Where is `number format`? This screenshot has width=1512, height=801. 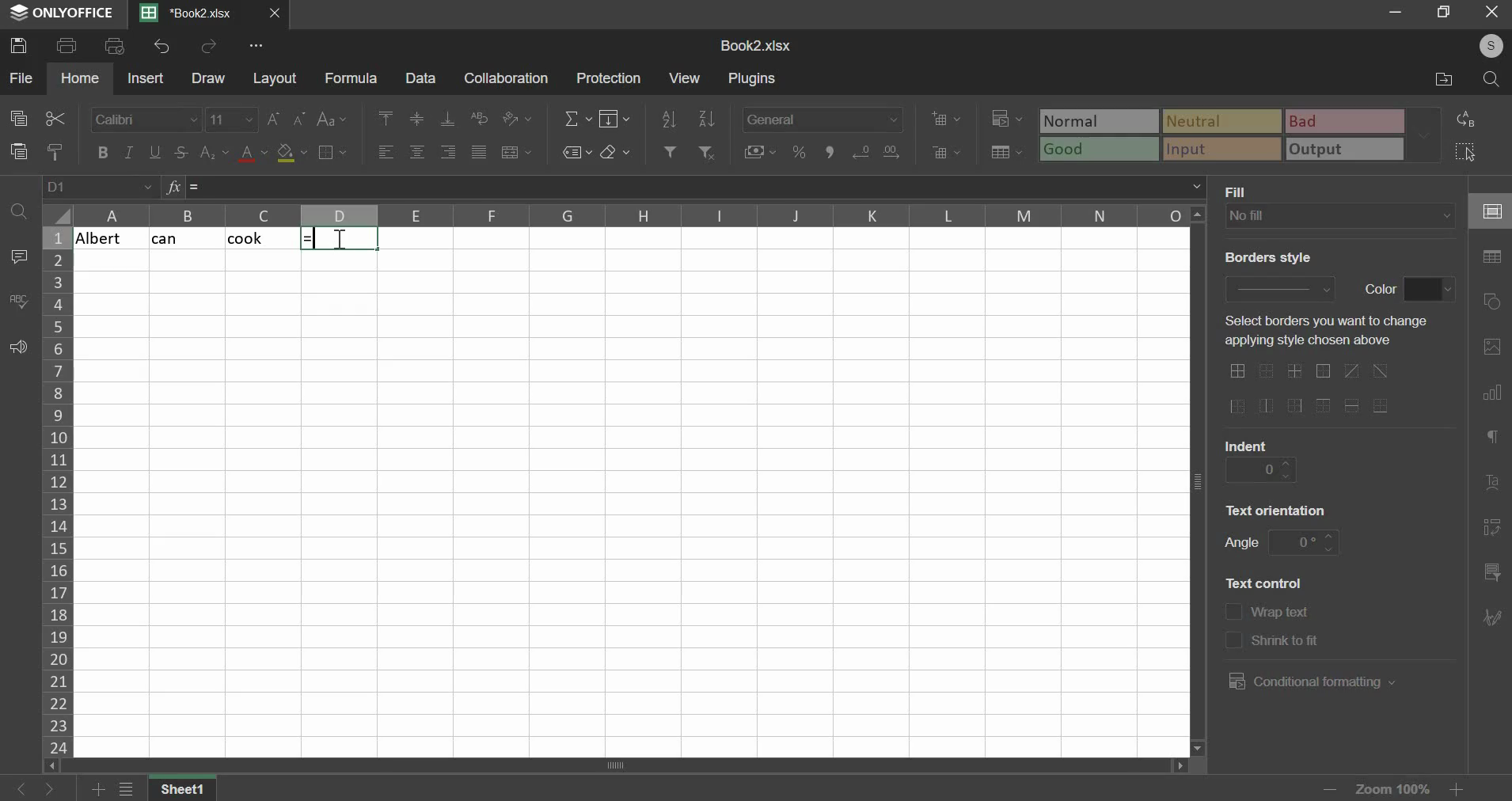 number format is located at coordinates (822, 117).